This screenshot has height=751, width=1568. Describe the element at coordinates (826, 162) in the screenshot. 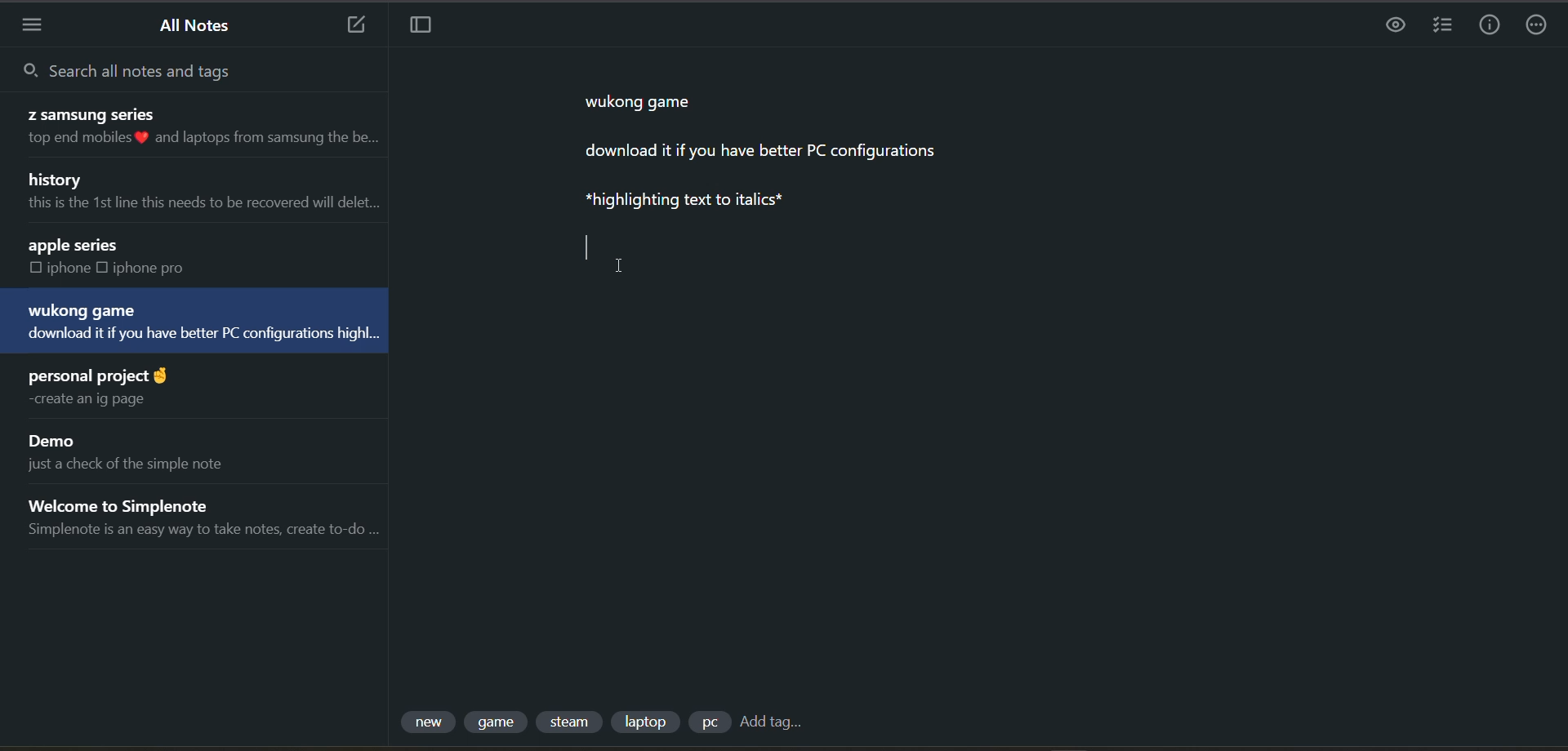

I see `data from current note` at that location.